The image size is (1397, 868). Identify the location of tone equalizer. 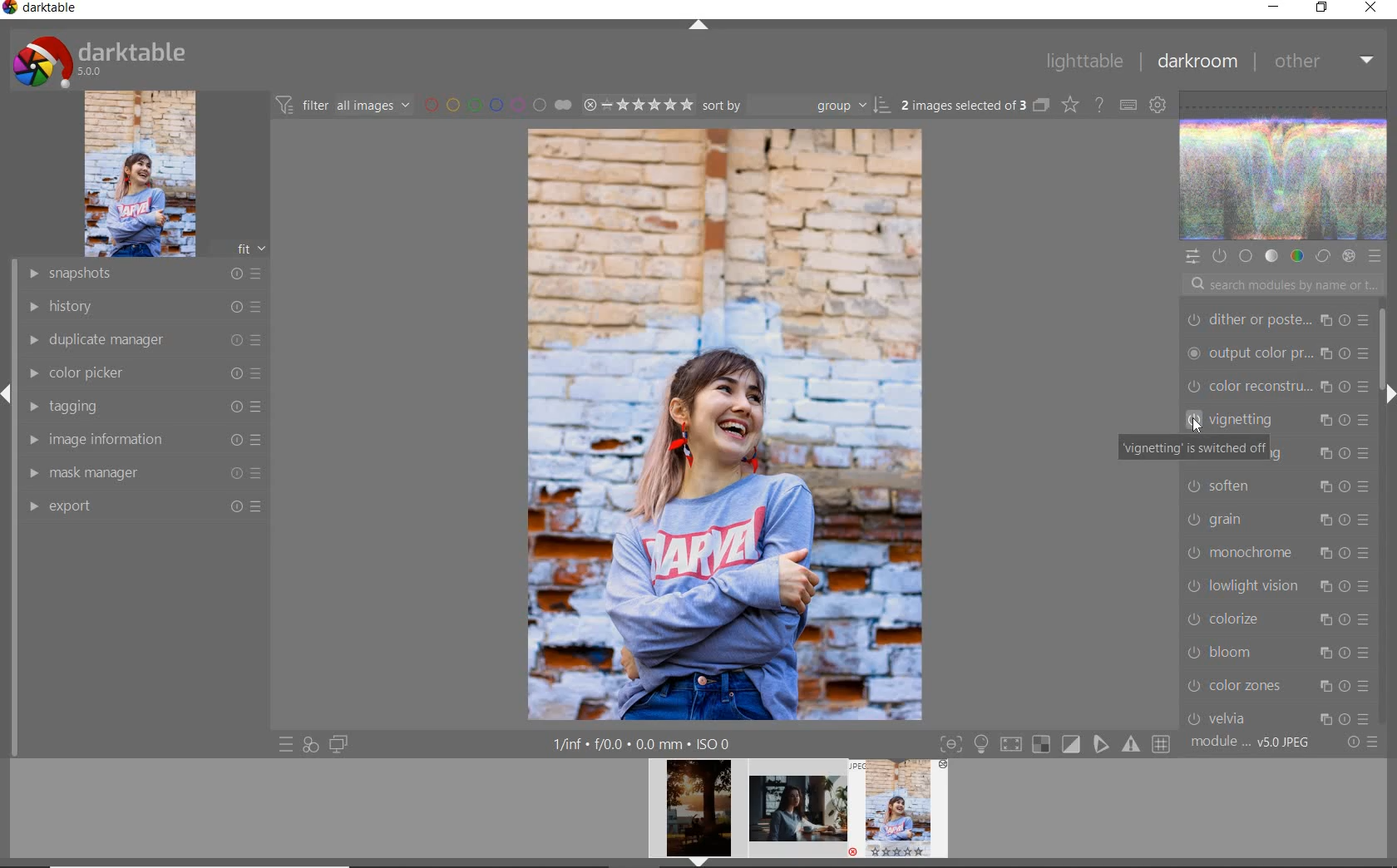
(1276, 385).